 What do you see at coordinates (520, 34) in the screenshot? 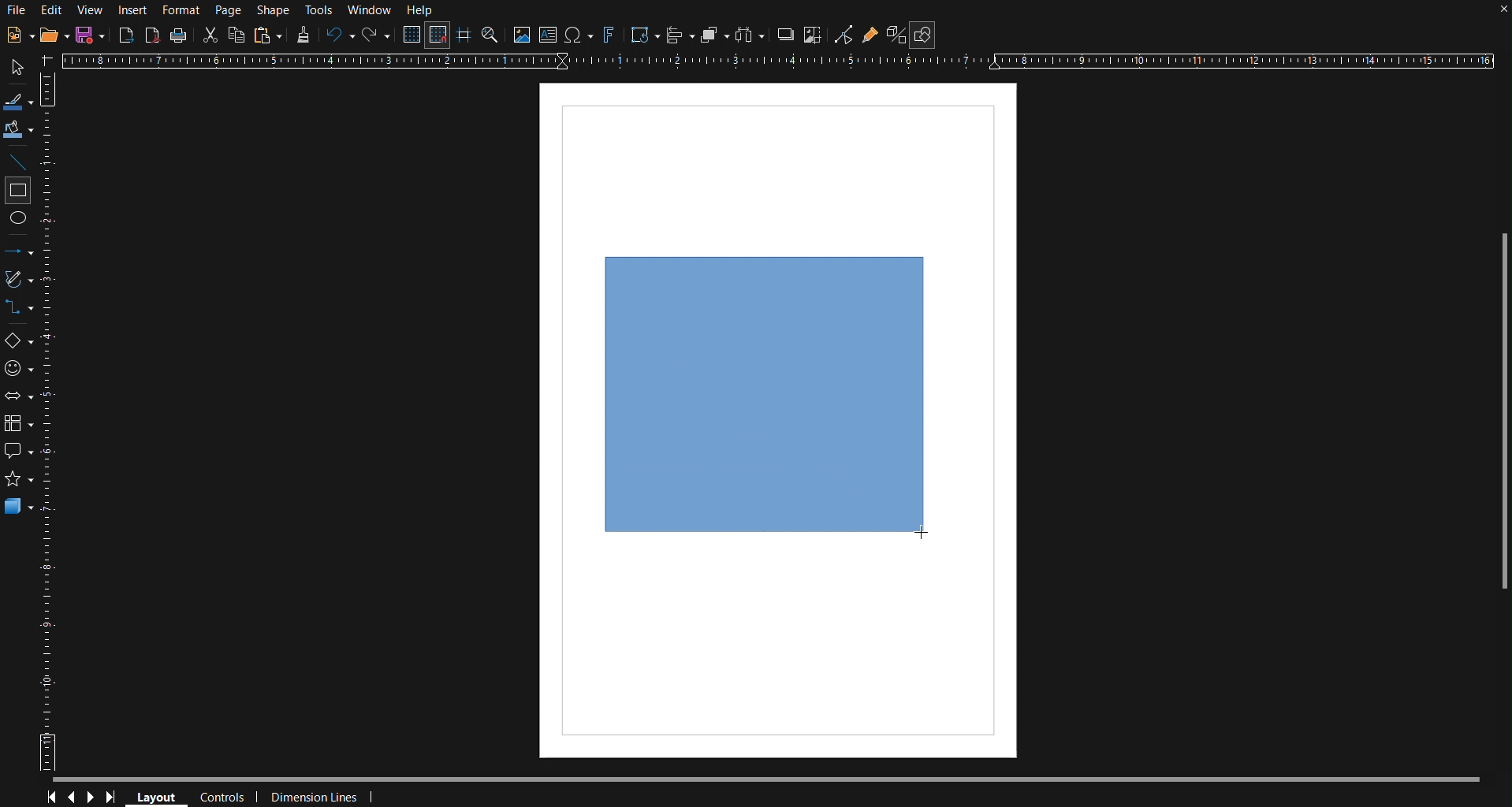
I see `Insert Image` at bounding box center [520, 34].